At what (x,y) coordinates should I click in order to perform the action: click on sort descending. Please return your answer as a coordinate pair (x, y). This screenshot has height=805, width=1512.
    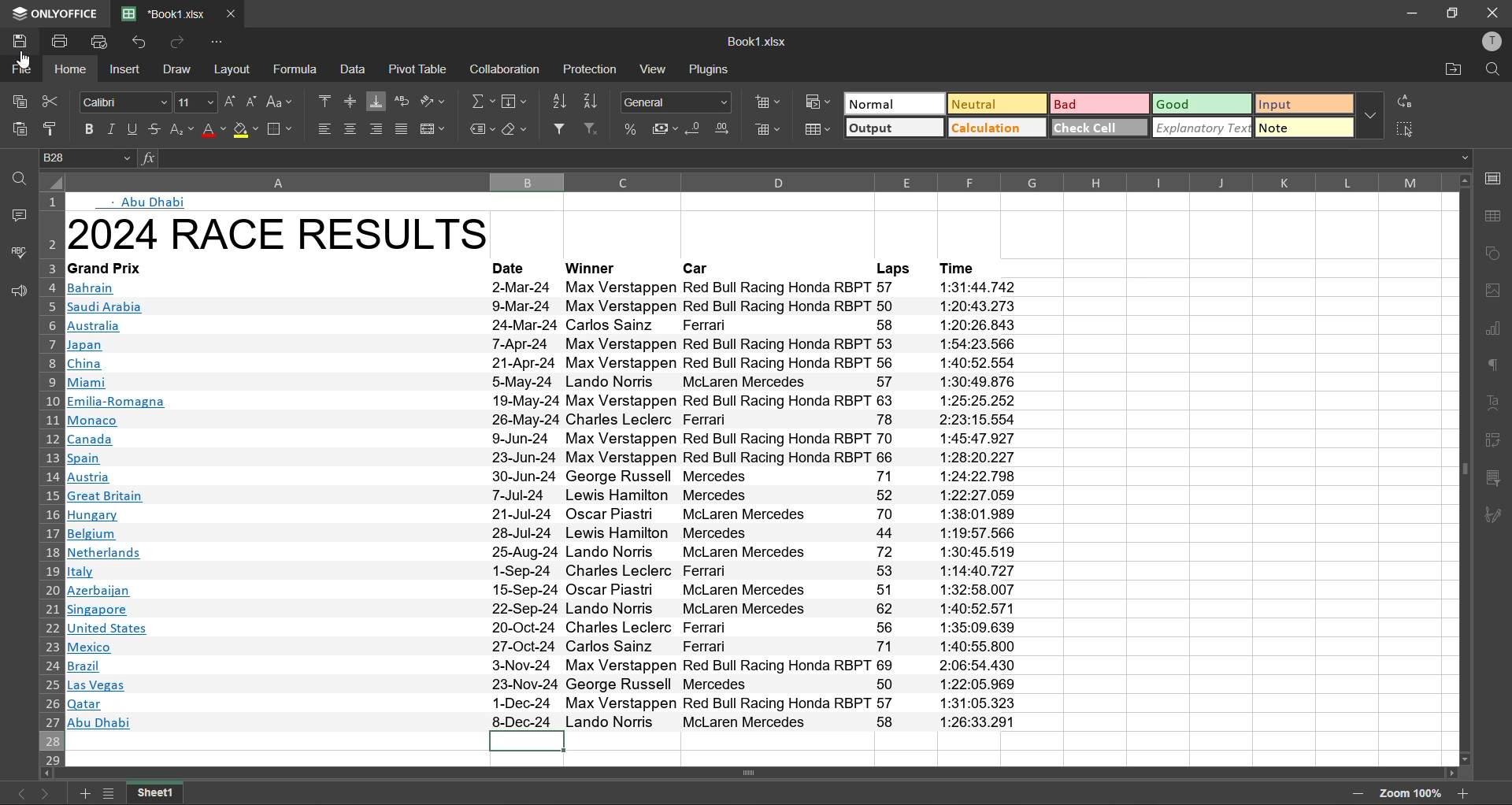
    Looking at the image, I should click on (595, 100).